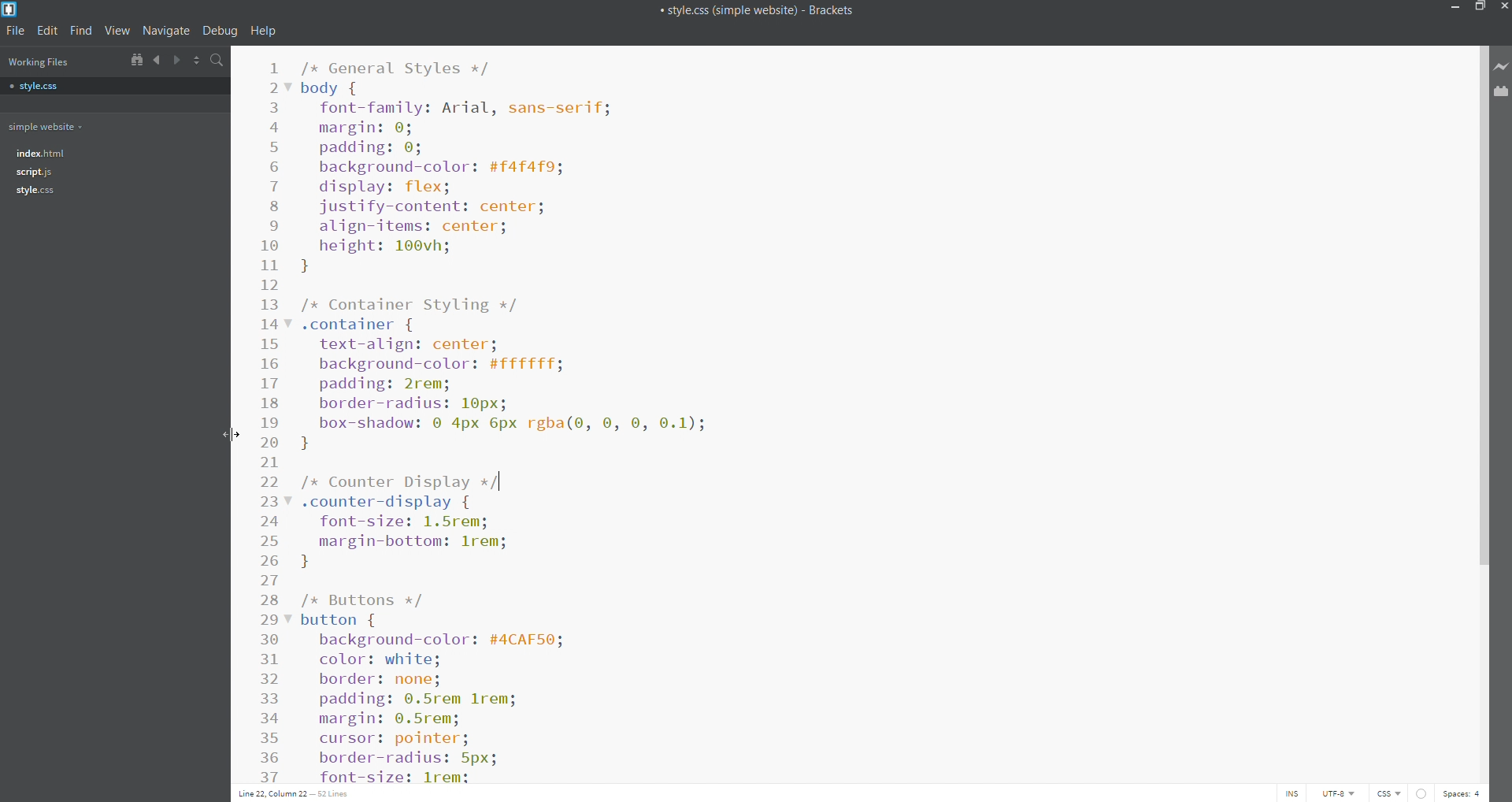  What do you see at coordinates (1294, 794) in the screenshot?
I see `toggle cursor` at bounding box center [1294, 794].